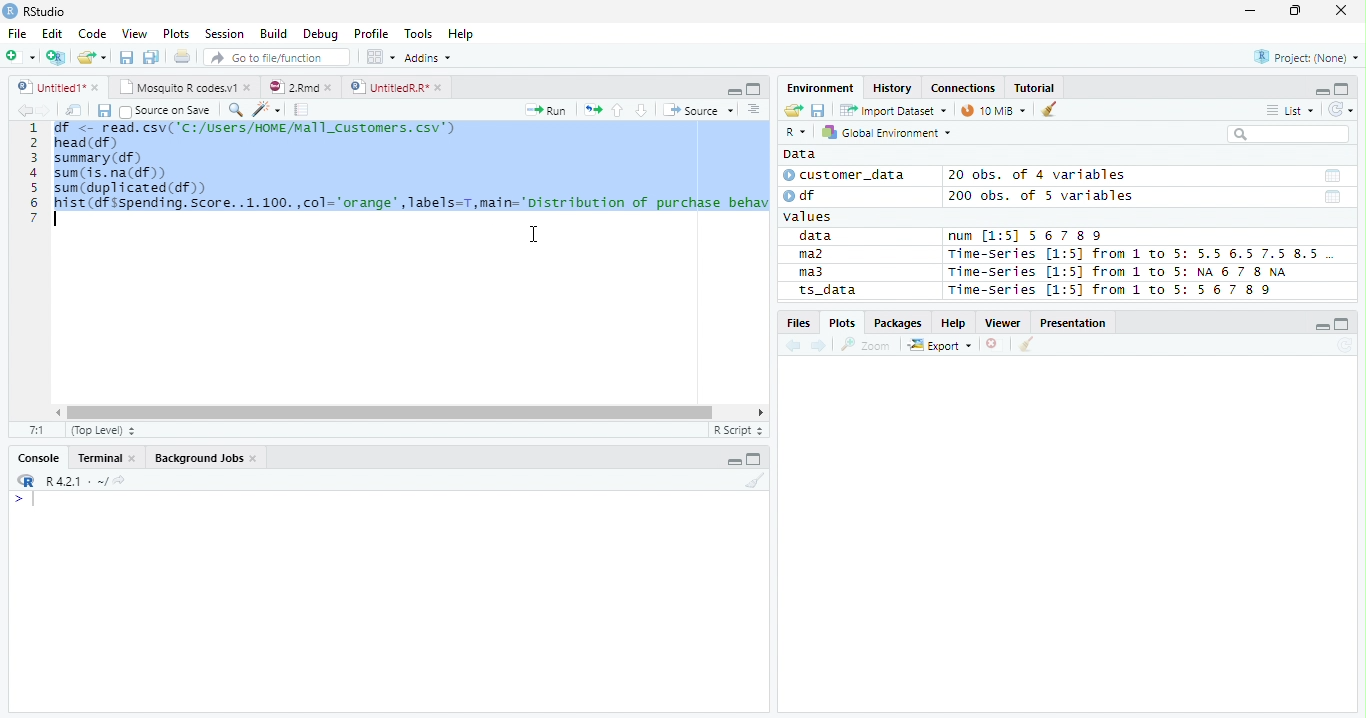 The width and height of the screenshot is (1366, 718). I want to click on Cursor, so click(534, 234).